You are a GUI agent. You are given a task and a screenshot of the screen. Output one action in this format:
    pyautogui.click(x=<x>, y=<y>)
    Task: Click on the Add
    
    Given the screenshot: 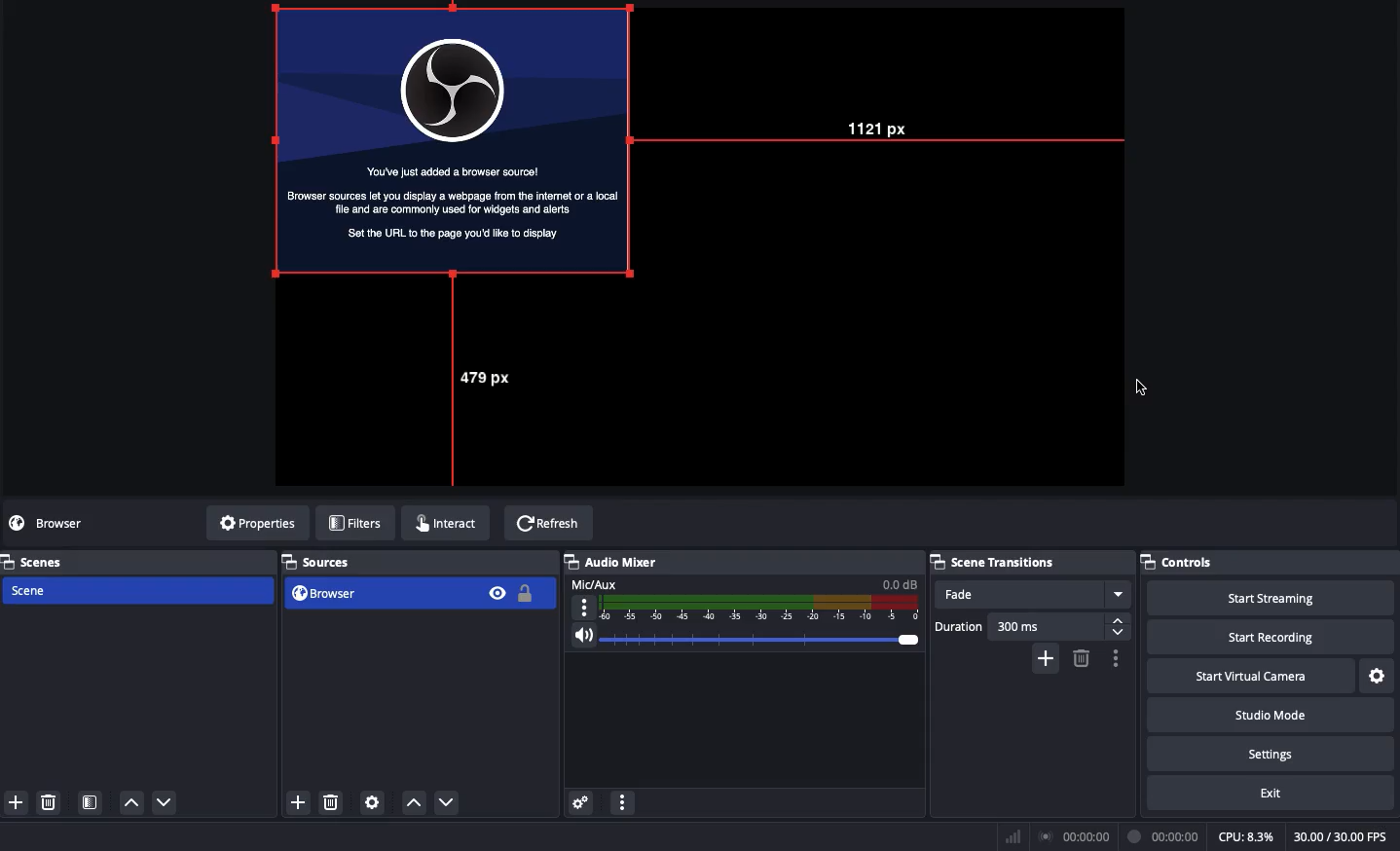 What is the action you would take?
    pyautogui.click(x=1046, y=658)
    